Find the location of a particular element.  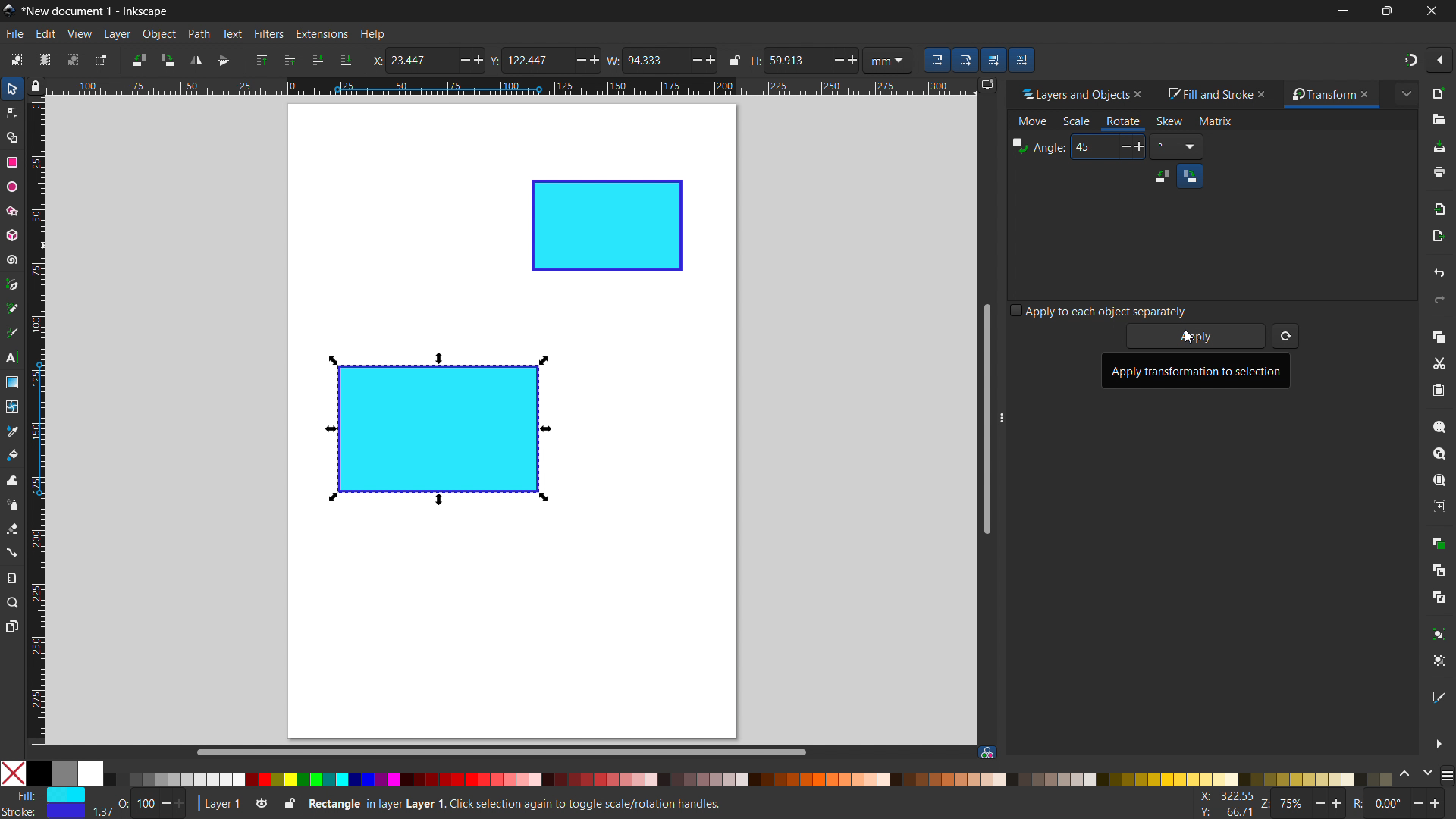

rotate is located at coordinates (1122, 121).